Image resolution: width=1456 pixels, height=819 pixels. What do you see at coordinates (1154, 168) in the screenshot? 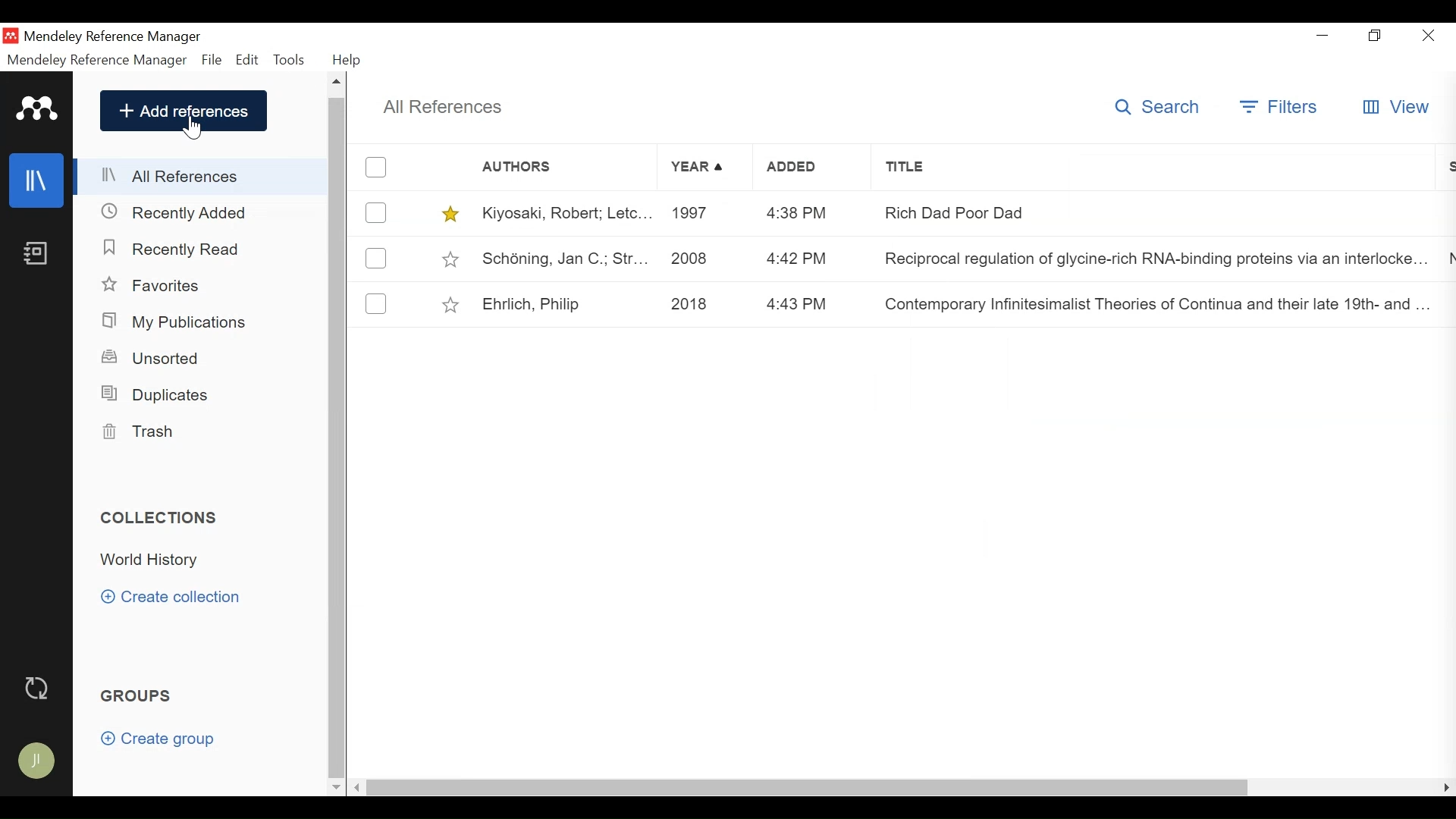
I see `Title` at bounding box center [1154, 168].